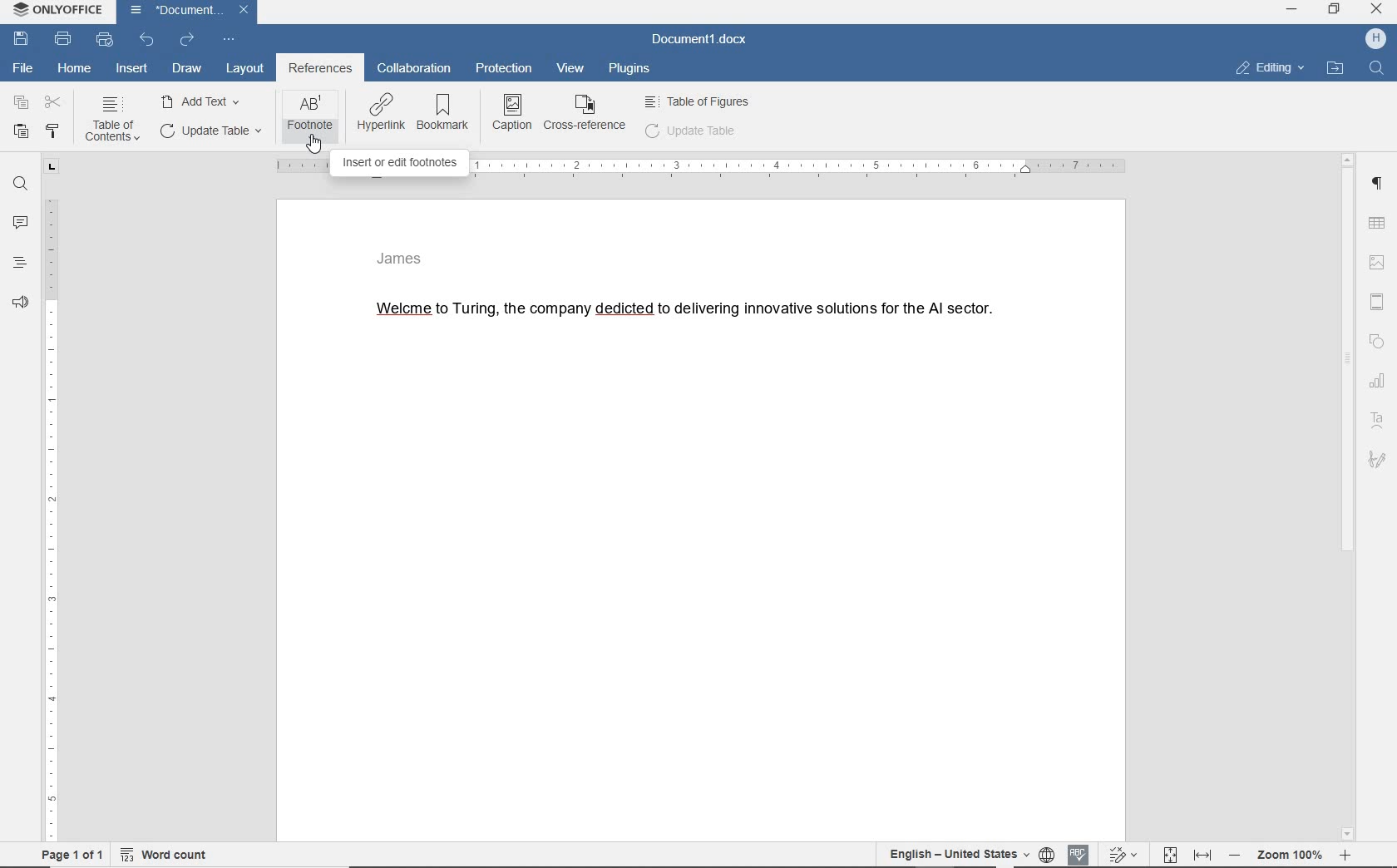 The width and height of the screenshot is (1397, 868). What do you see at coordinates (187, 68) in the screenshot?
I see `draw` at bounding box center [187, 68].